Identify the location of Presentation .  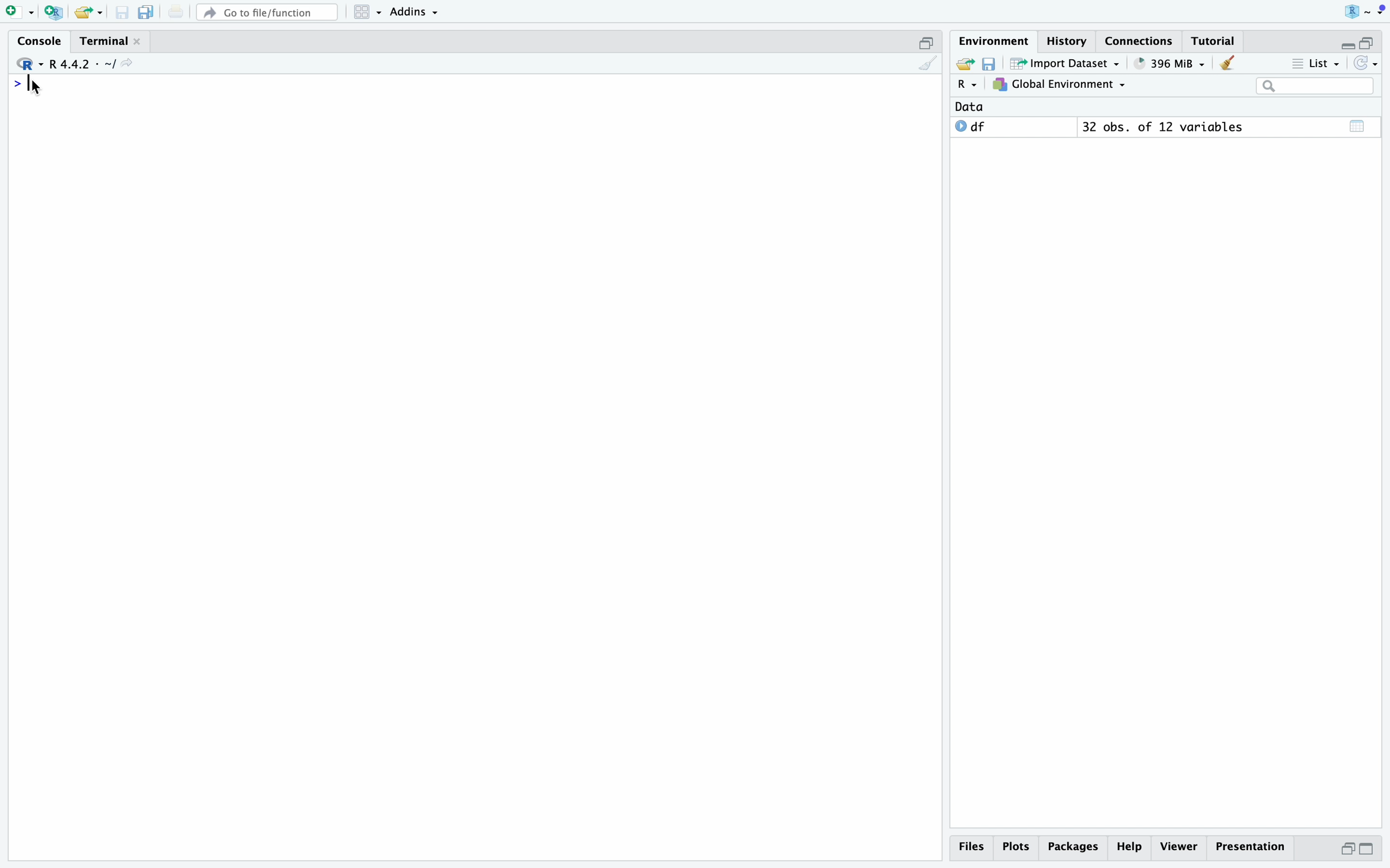
(1252, 847).